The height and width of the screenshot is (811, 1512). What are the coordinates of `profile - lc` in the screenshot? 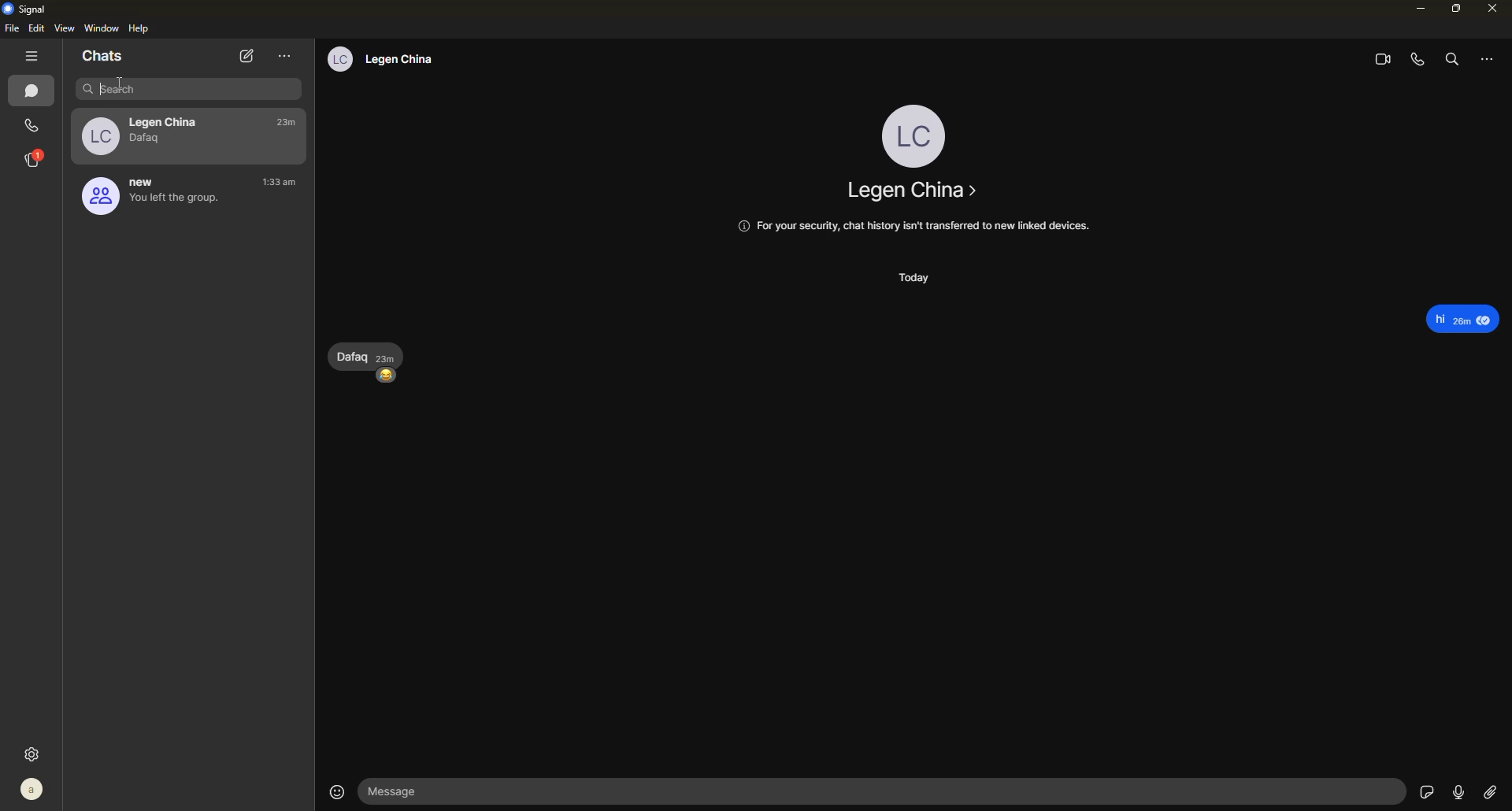 It's located at (910, 131).